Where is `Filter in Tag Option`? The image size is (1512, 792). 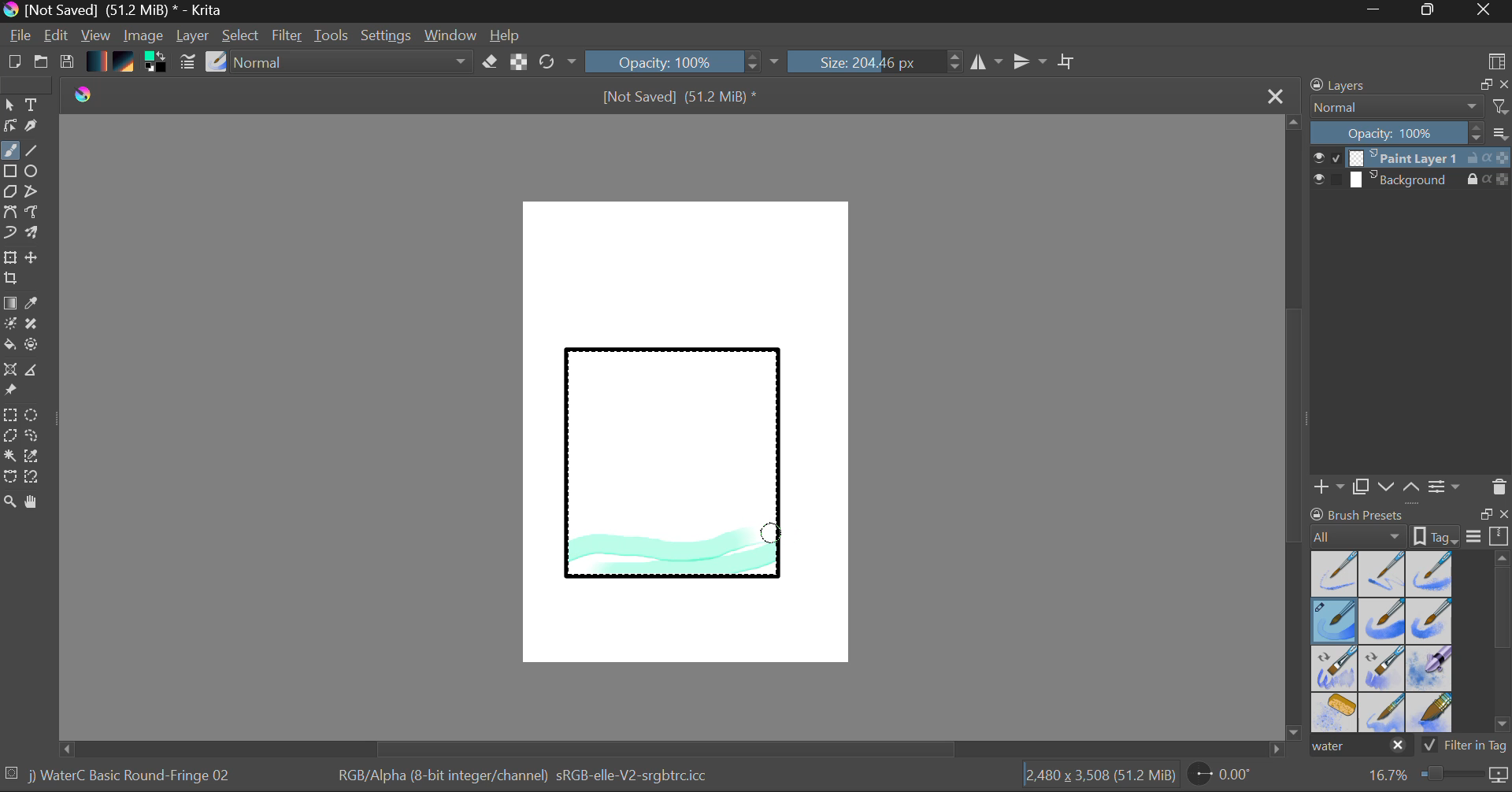 Filter in Tag Option is located at coordinates (1466, 747).